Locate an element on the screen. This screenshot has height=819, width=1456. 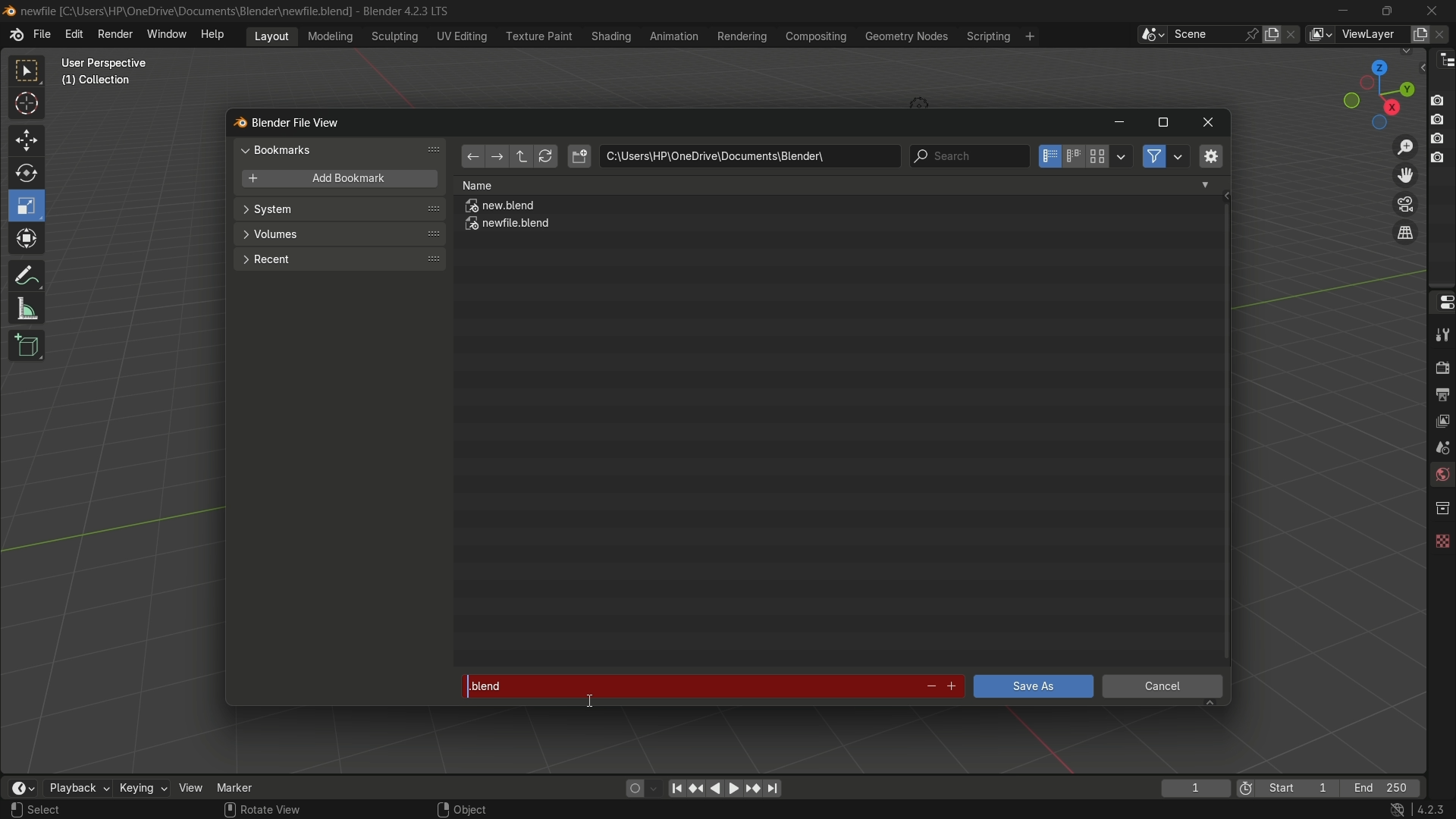
close app is located at coordinates (1432, 10).